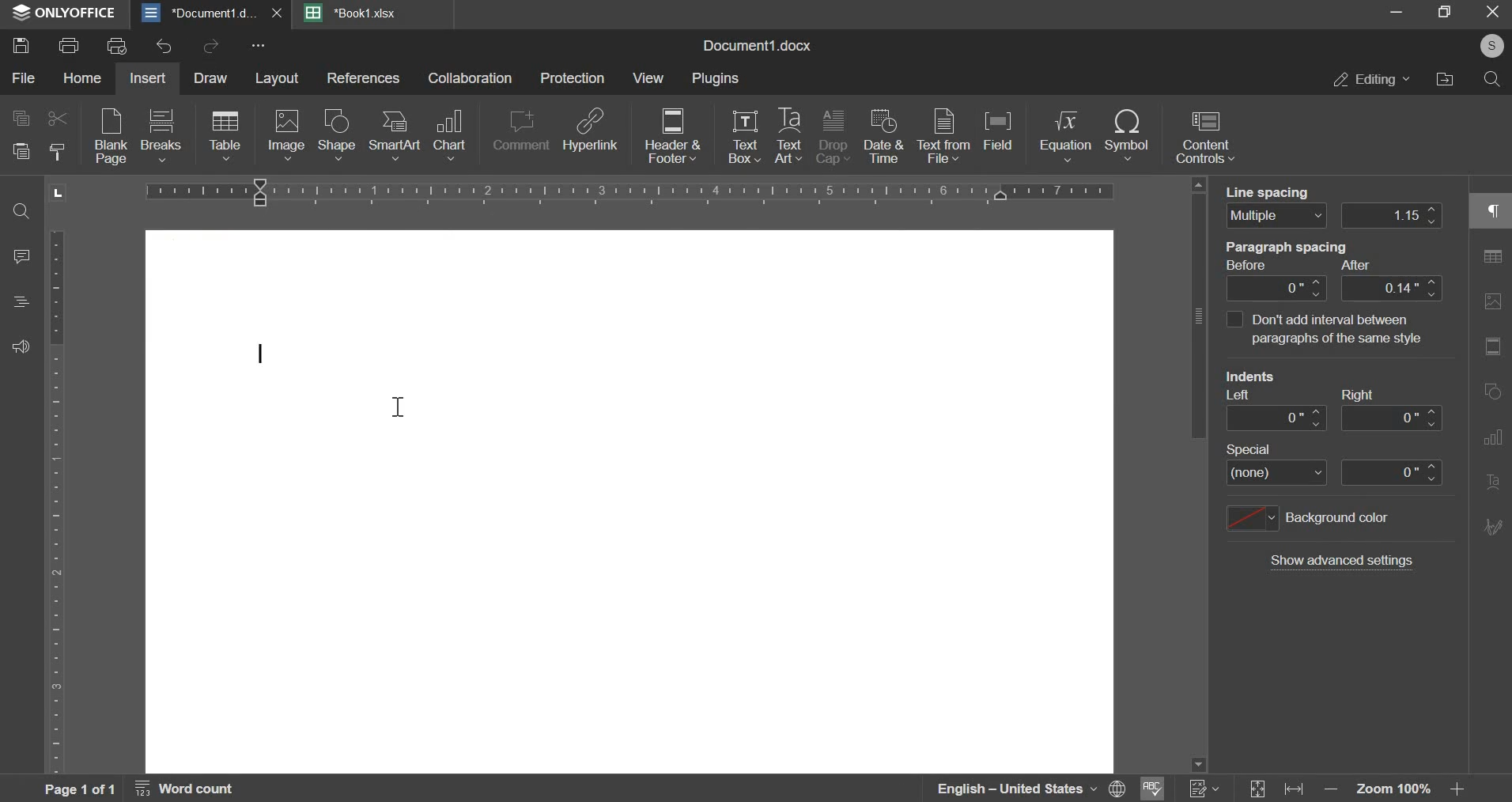  I want to click on comment, so click(24, 256).